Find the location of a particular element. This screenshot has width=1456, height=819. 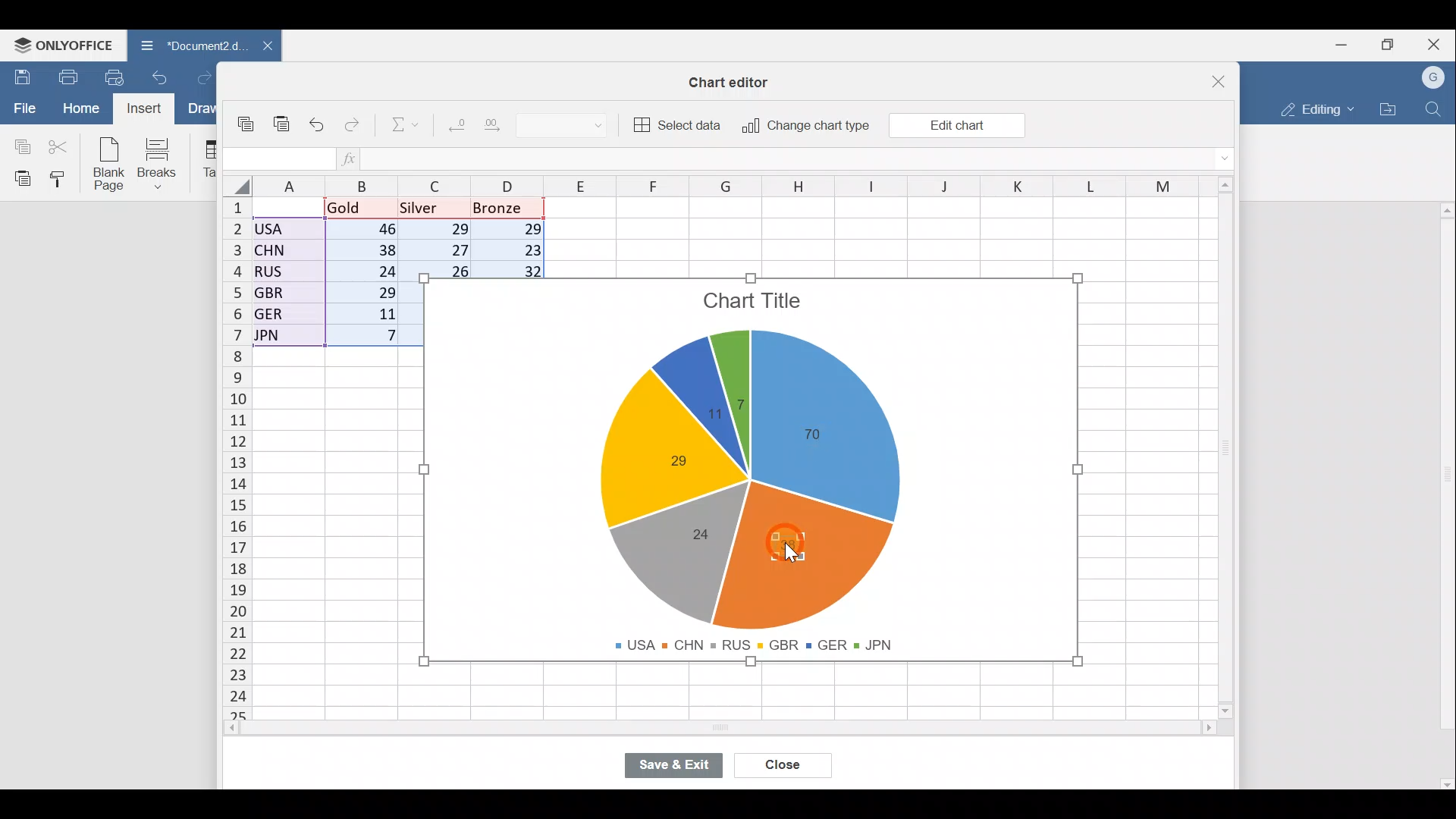

Breaks is located at coordinates (160, 165).